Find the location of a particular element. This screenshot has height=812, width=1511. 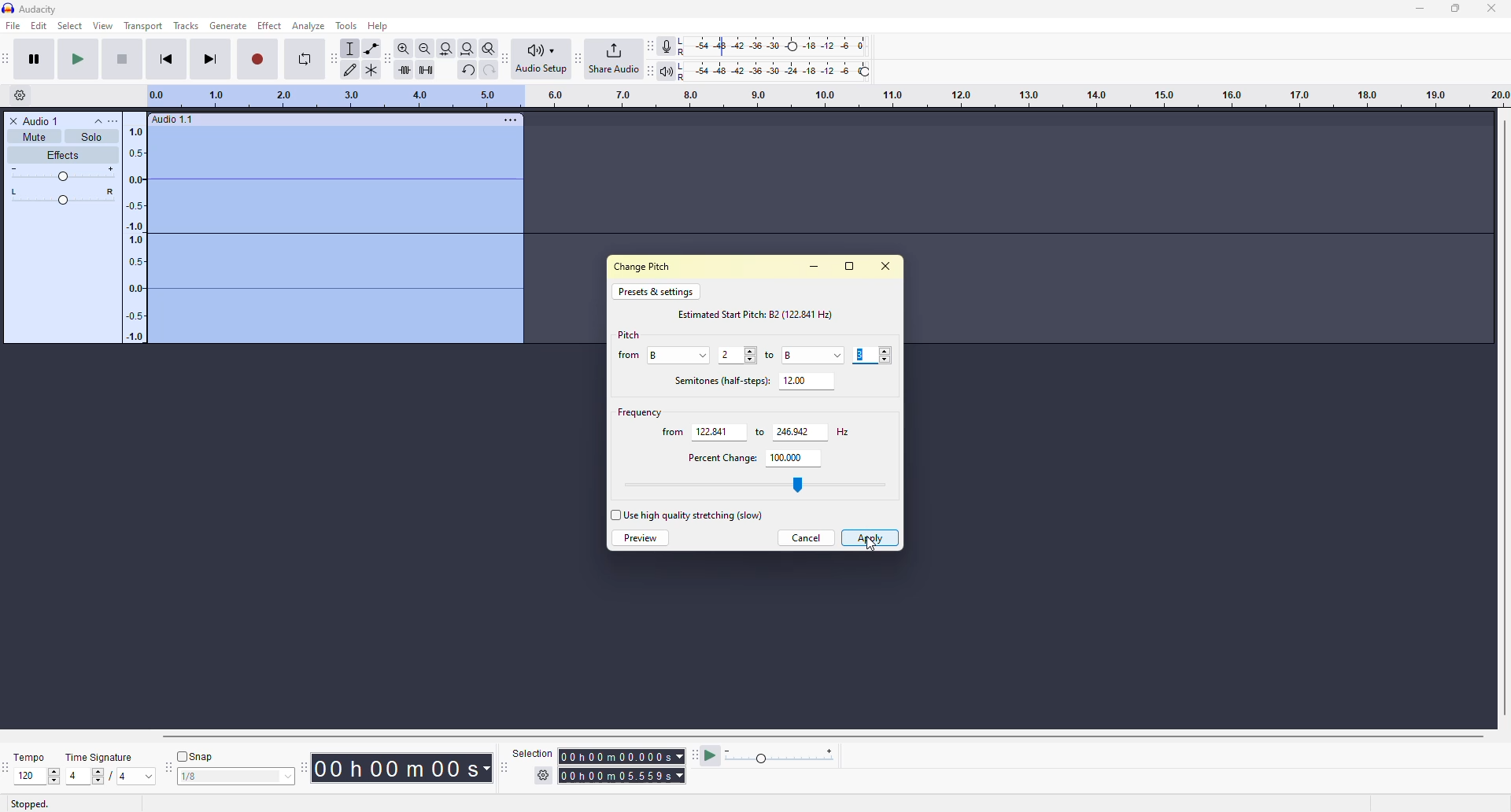

play is located at coordinates (78, 59).